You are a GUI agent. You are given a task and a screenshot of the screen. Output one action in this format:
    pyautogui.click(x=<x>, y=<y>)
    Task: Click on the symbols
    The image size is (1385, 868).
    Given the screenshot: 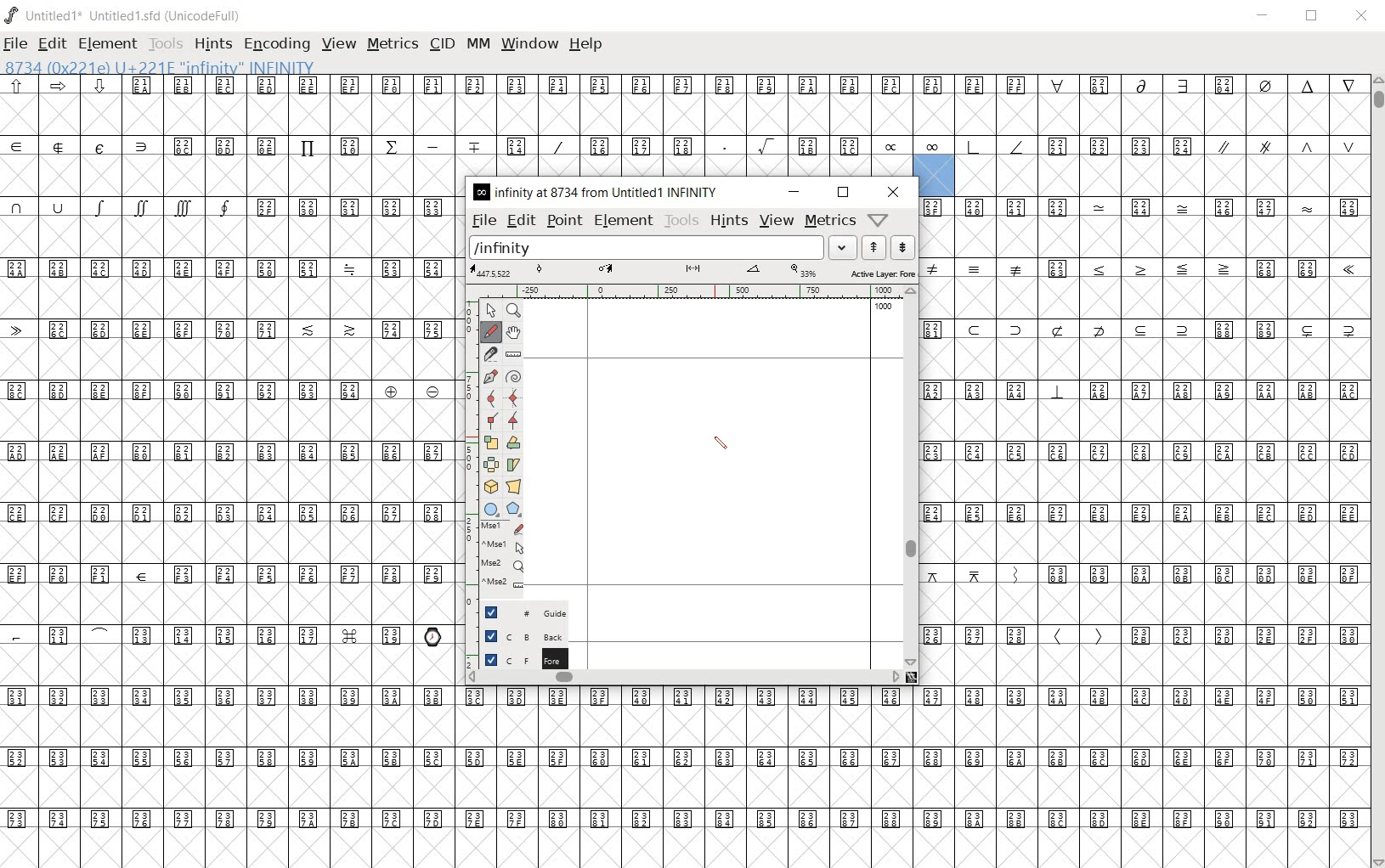 What is the action you would take?
    pyautogui.click(x=953, y=146)
    